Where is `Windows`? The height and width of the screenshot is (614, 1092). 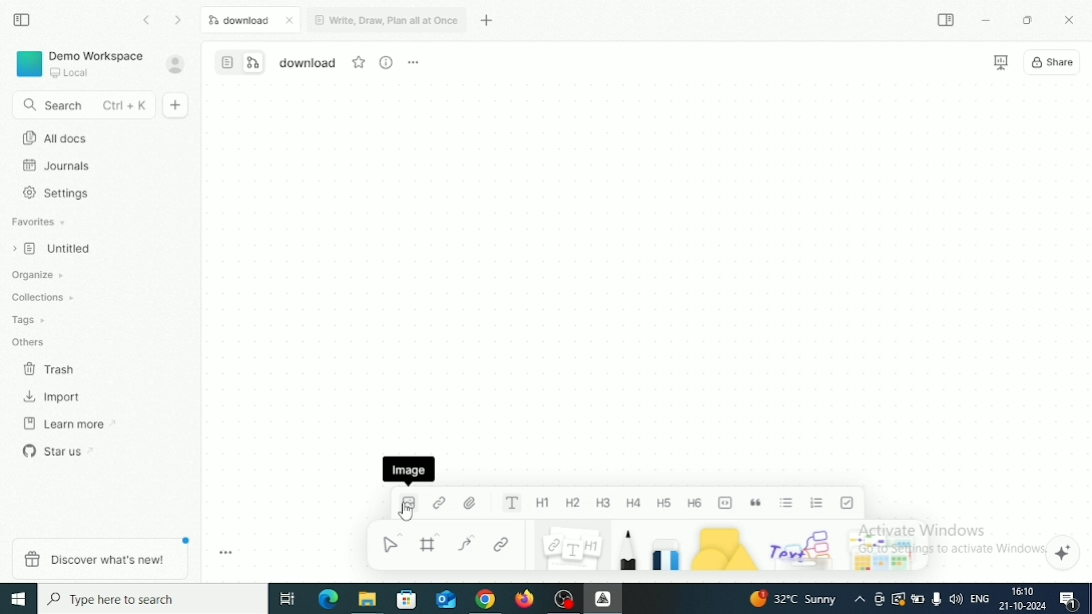 Windows is located at coordinates (20, 598).